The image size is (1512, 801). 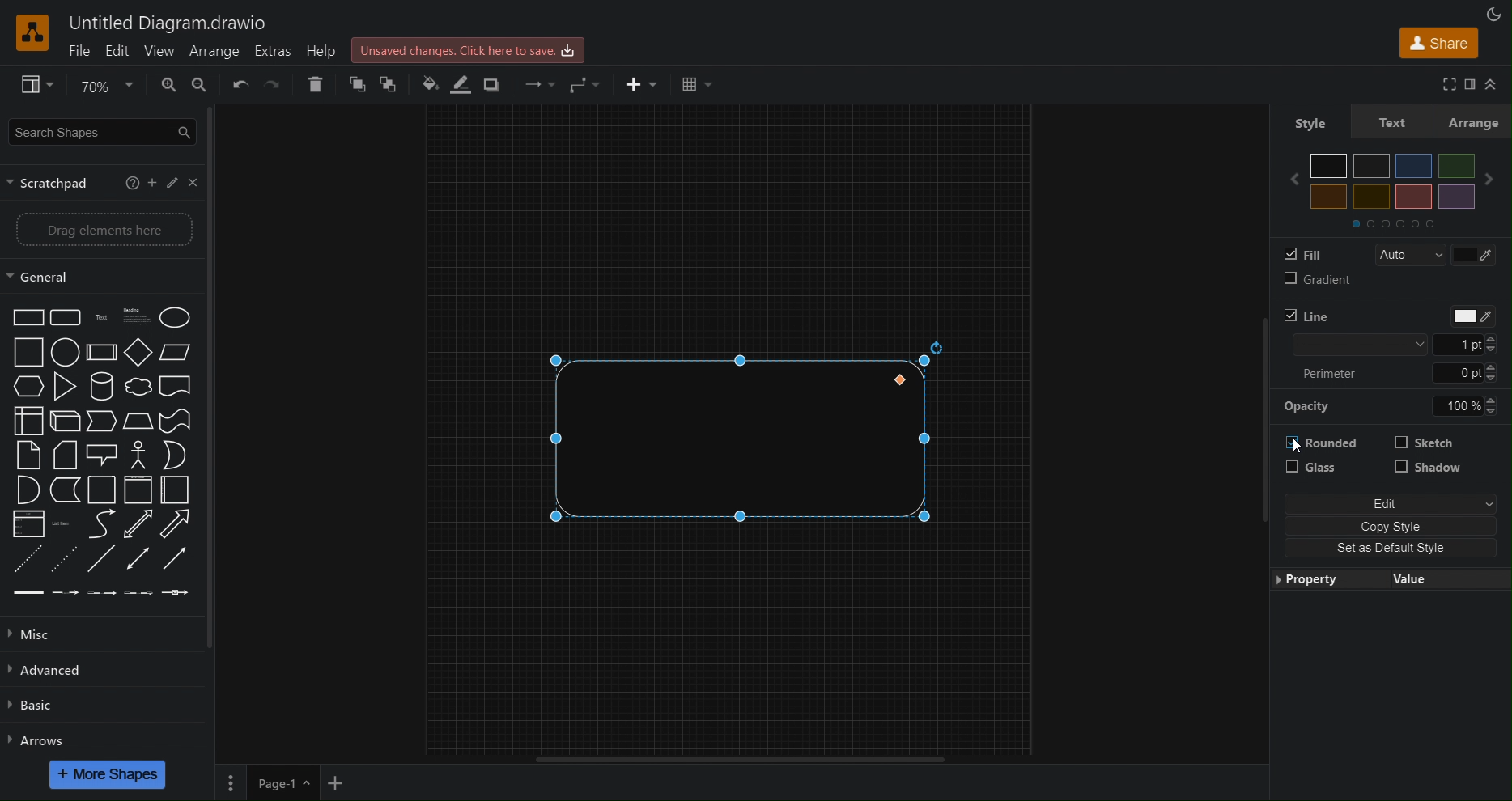 What do you see at coordinates (1429, 473) in the screenshot?
I see `Shadow` at bounding box center [1429, 473].